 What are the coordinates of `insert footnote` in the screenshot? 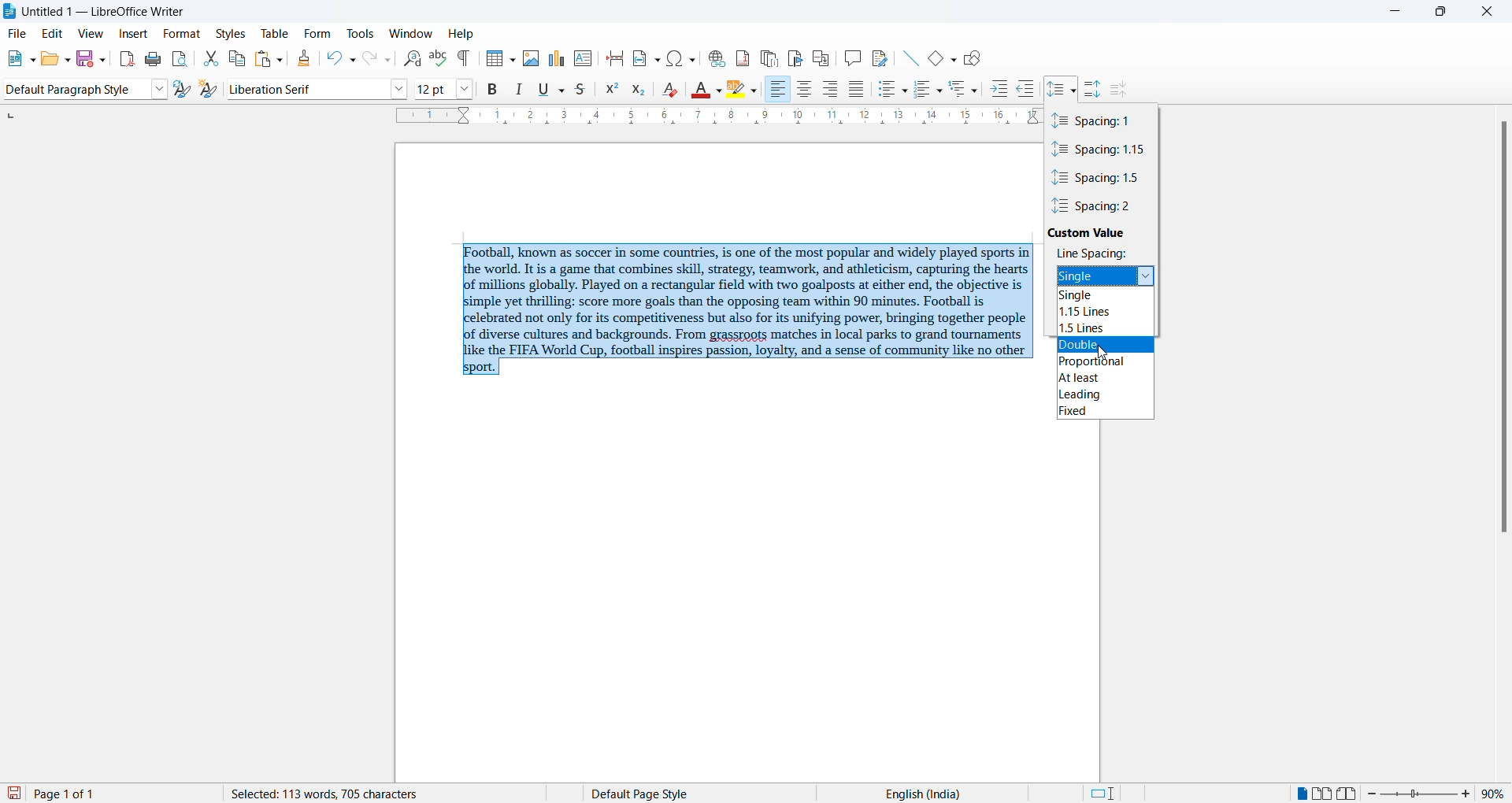 It's located at (743, 60).